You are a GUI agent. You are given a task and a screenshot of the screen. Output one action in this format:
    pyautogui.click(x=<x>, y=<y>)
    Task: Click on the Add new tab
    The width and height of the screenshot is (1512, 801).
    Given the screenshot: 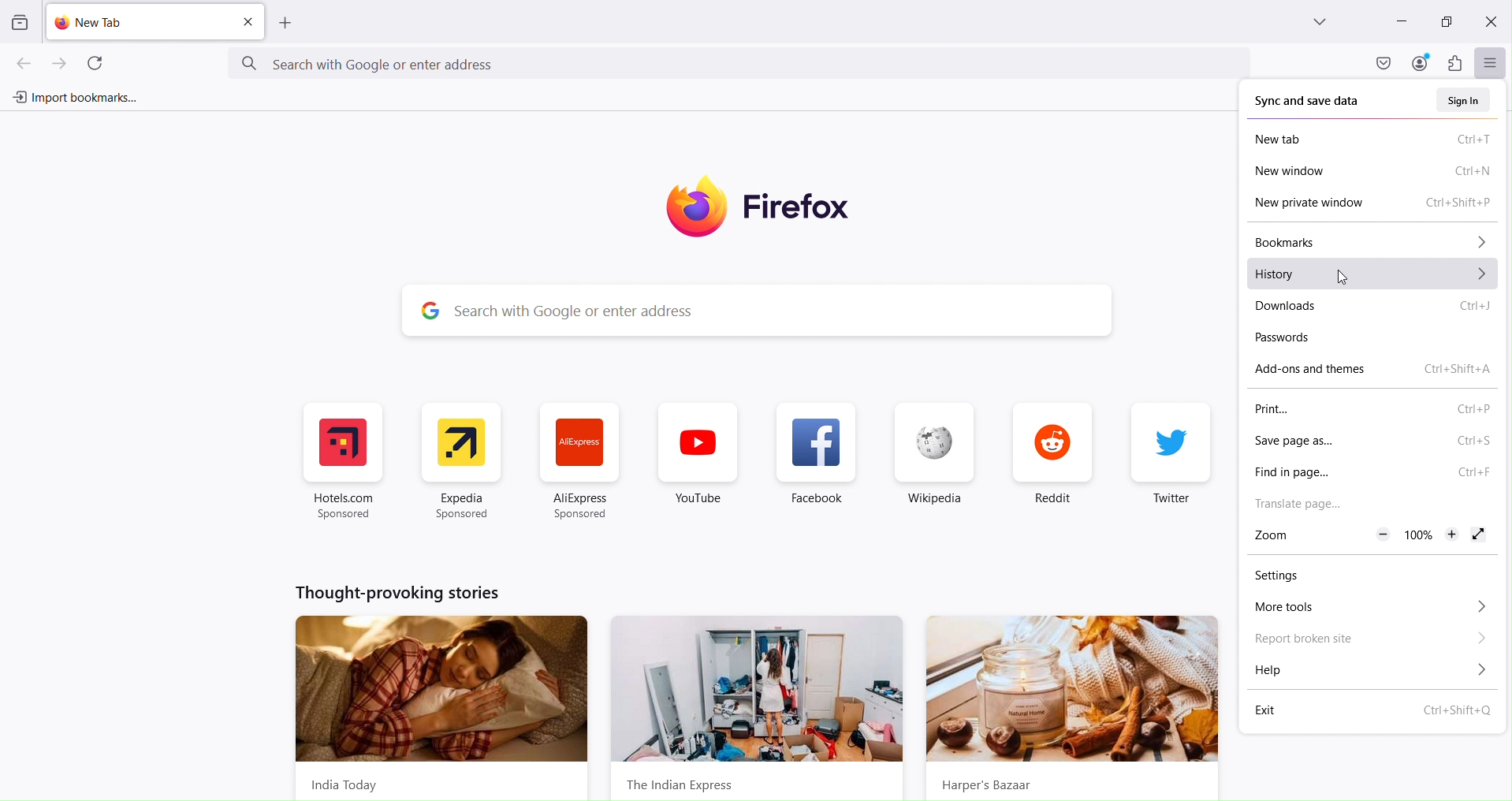 What is the action you would take?
    pyautogui.click(x=286, y=24)
    